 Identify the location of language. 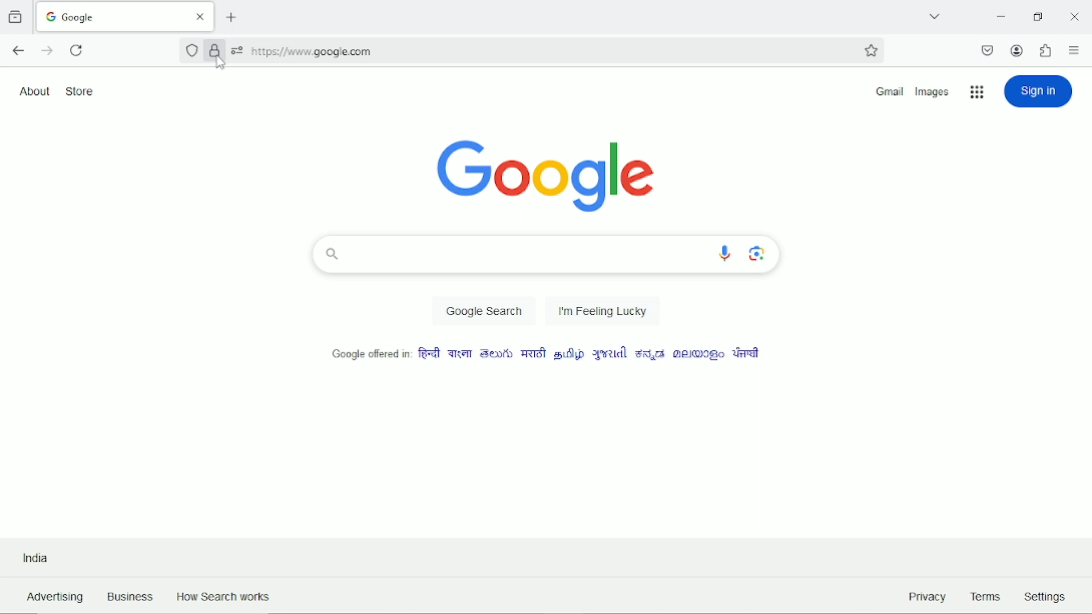
(651, 354).